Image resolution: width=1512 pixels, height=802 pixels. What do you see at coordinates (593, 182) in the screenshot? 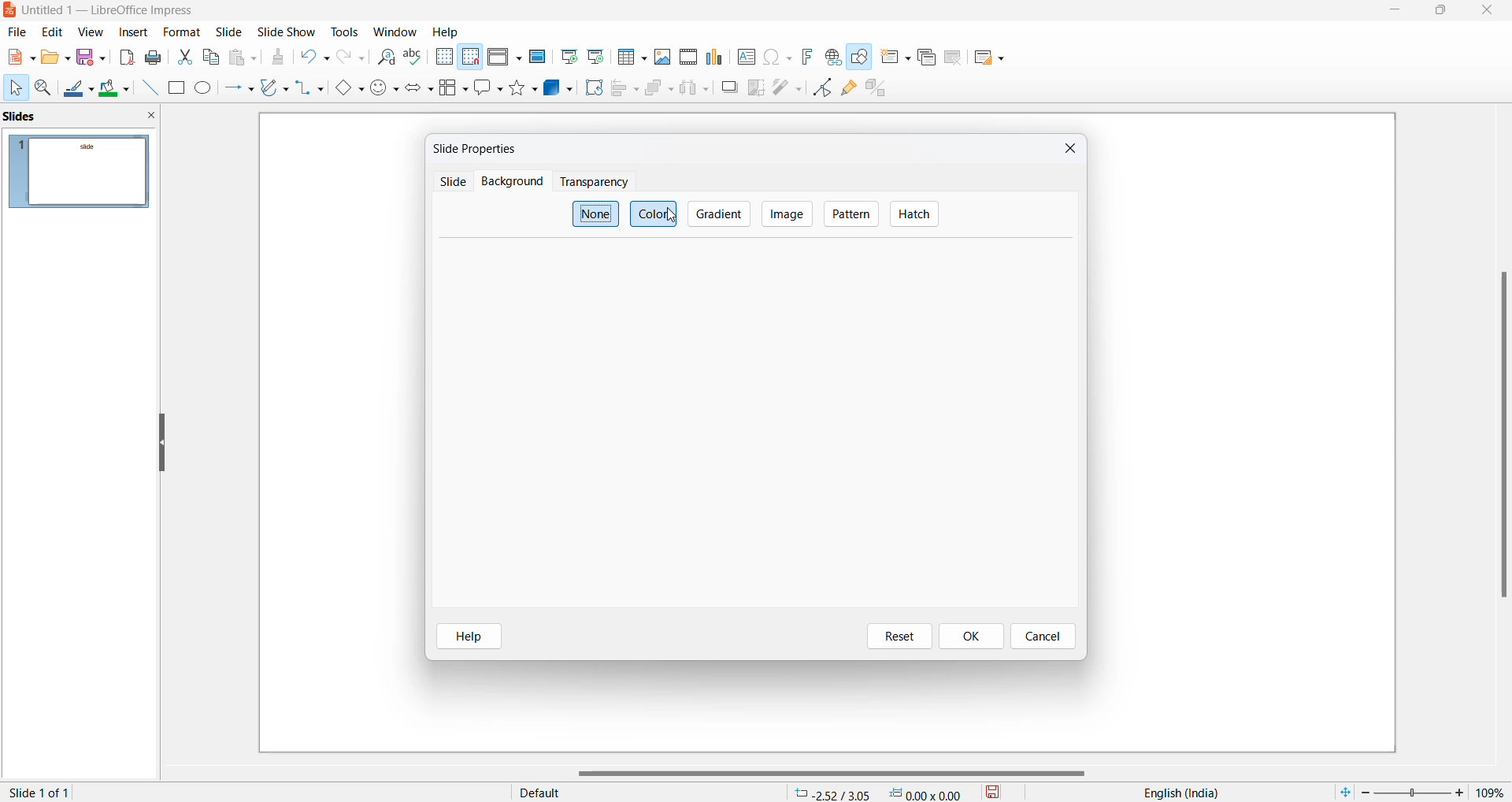
I see `transparency` at bounding box center [593, 182].